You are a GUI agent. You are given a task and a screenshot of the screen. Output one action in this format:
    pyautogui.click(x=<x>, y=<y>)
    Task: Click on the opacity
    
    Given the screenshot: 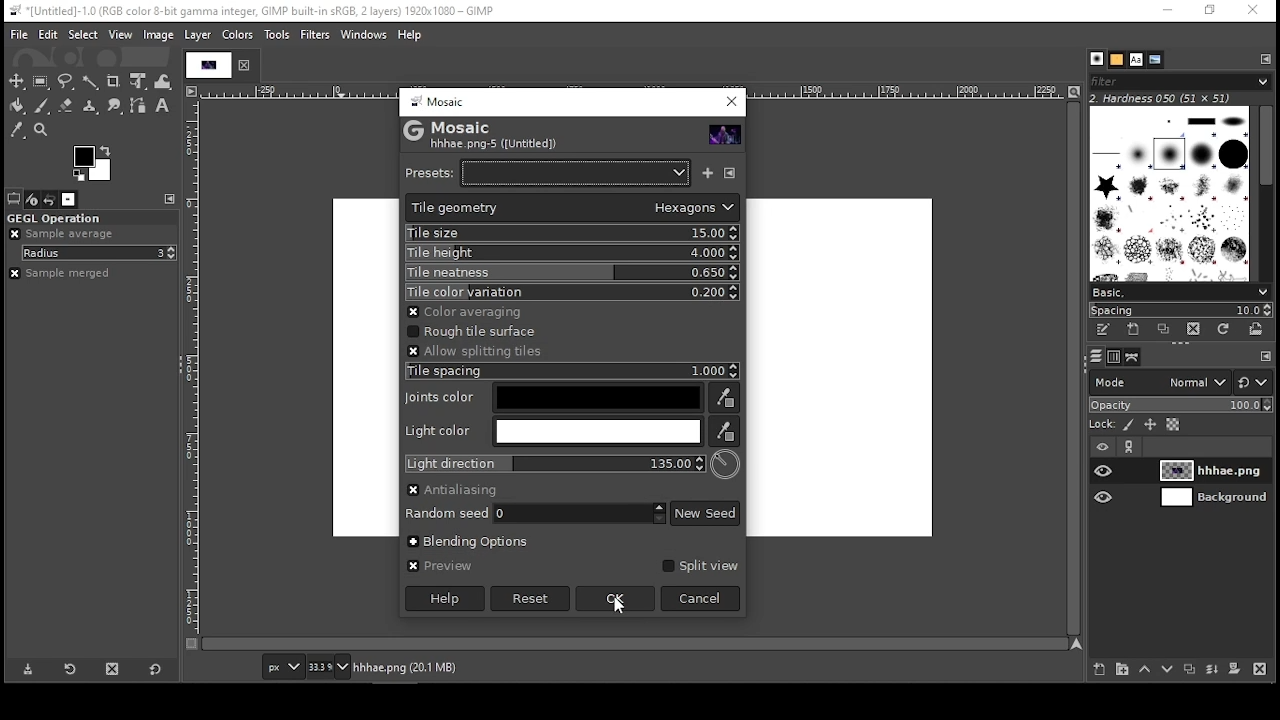 What is the action you would take?
    pyautogui.click(x=1181, y=405)
    